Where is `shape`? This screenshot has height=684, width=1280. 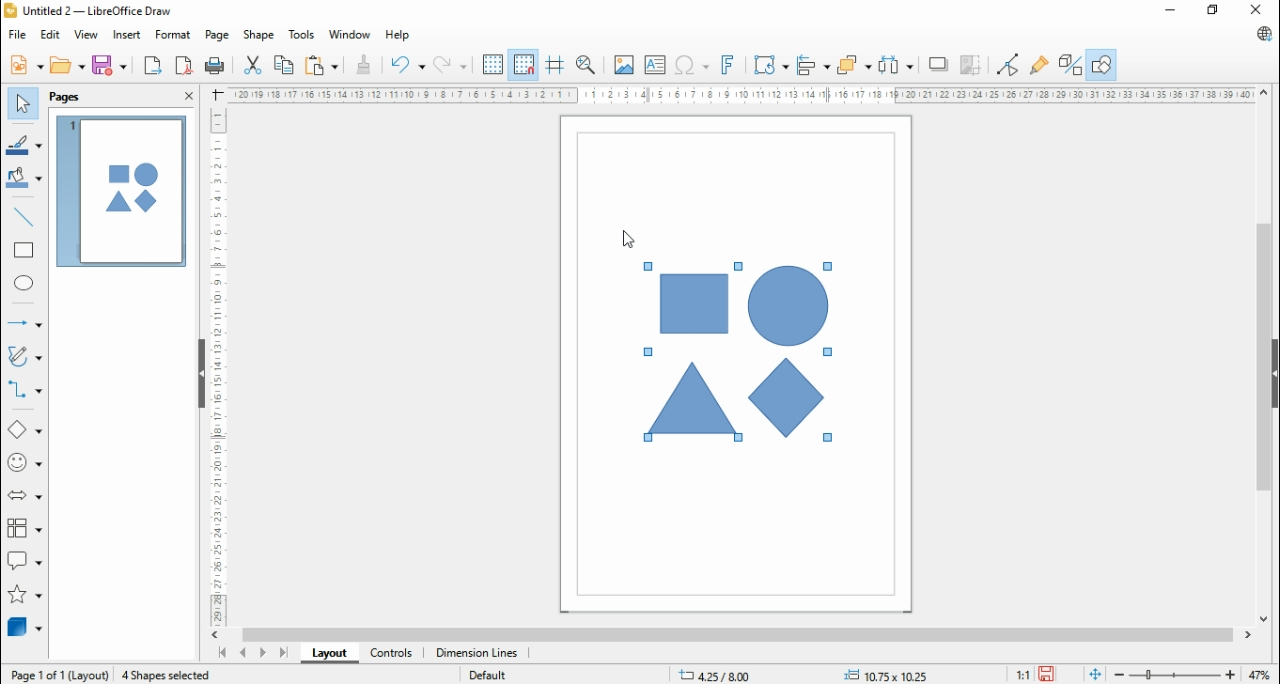
shape is located at coordinates (258, 35).